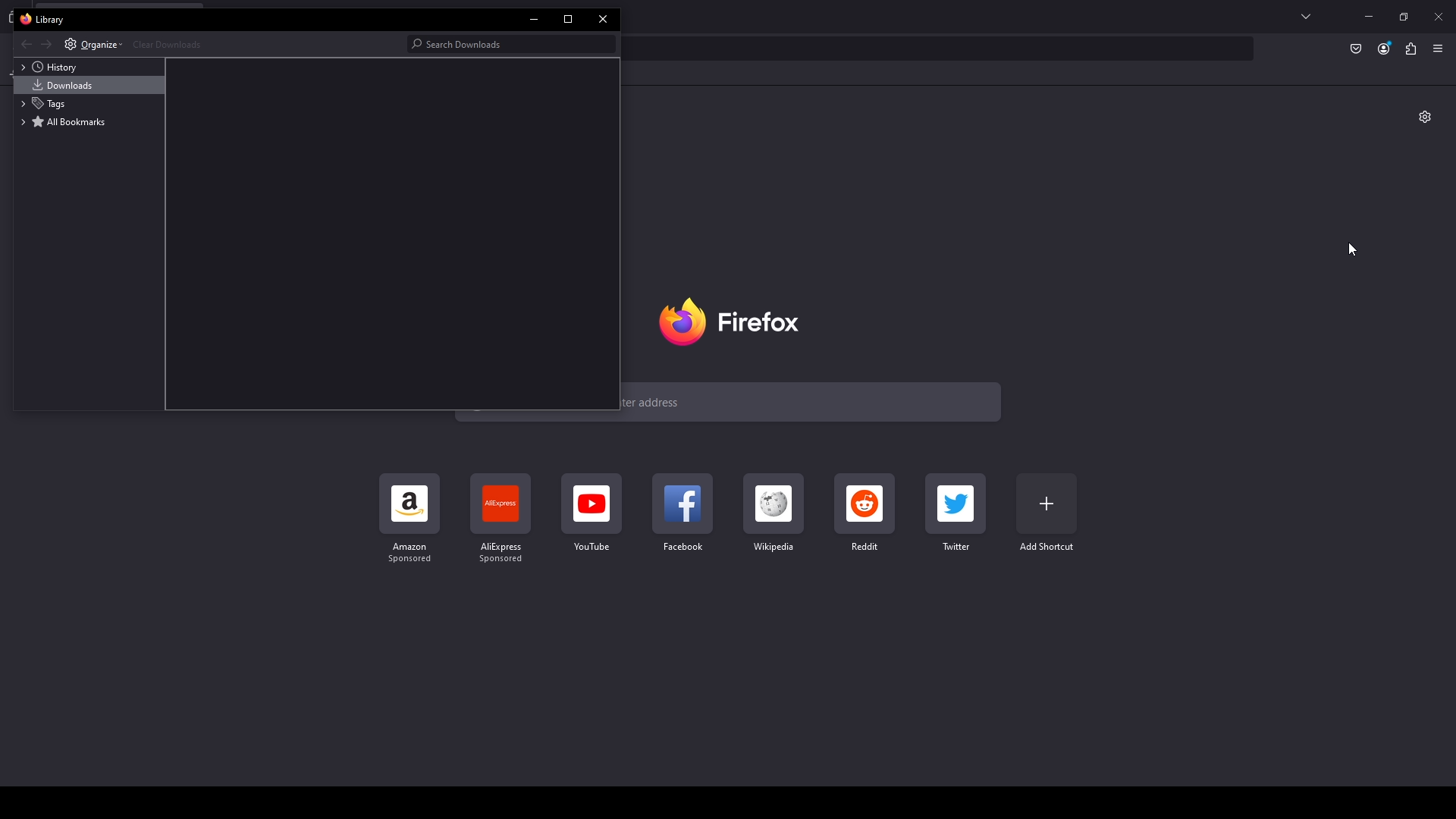 Image resolution: width=1456 pixels, height=819 pixels. I want to click on Youtube, so click(591, 514).